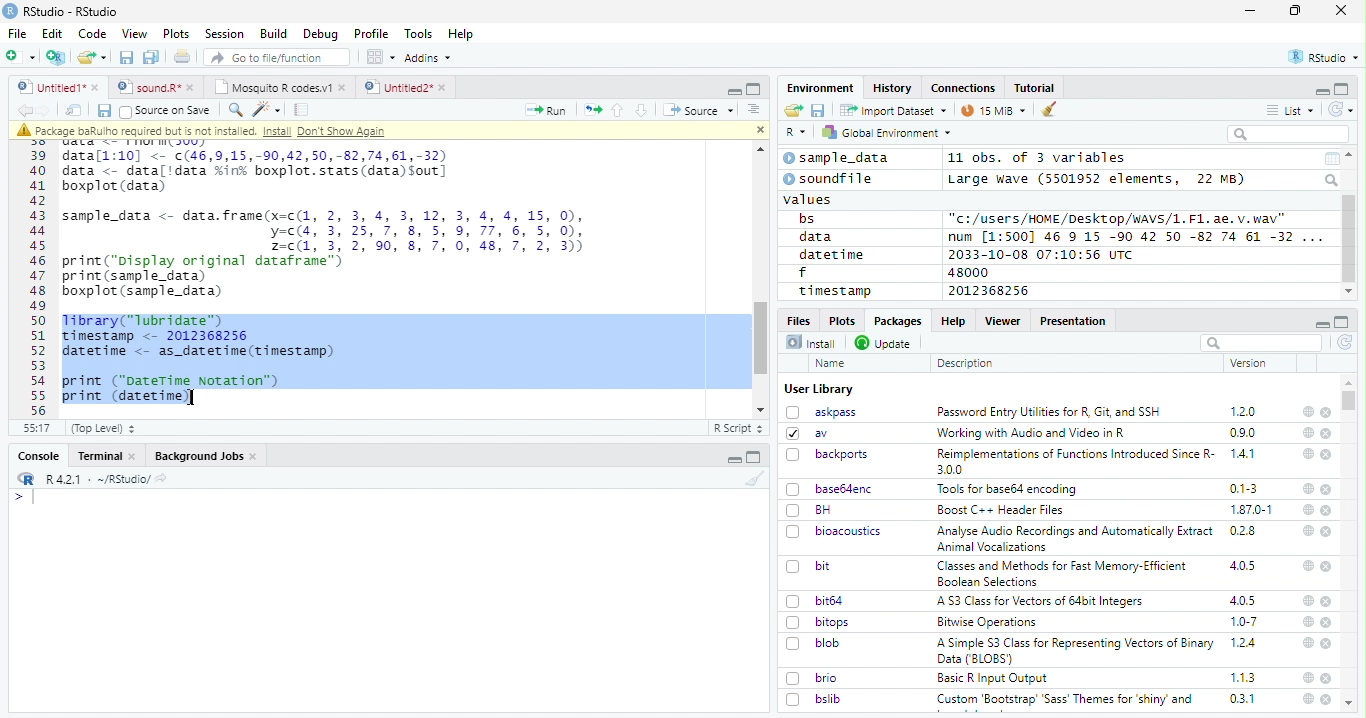 The image size is (1366, 718). I want to click on minimize, so click(1253, 11).